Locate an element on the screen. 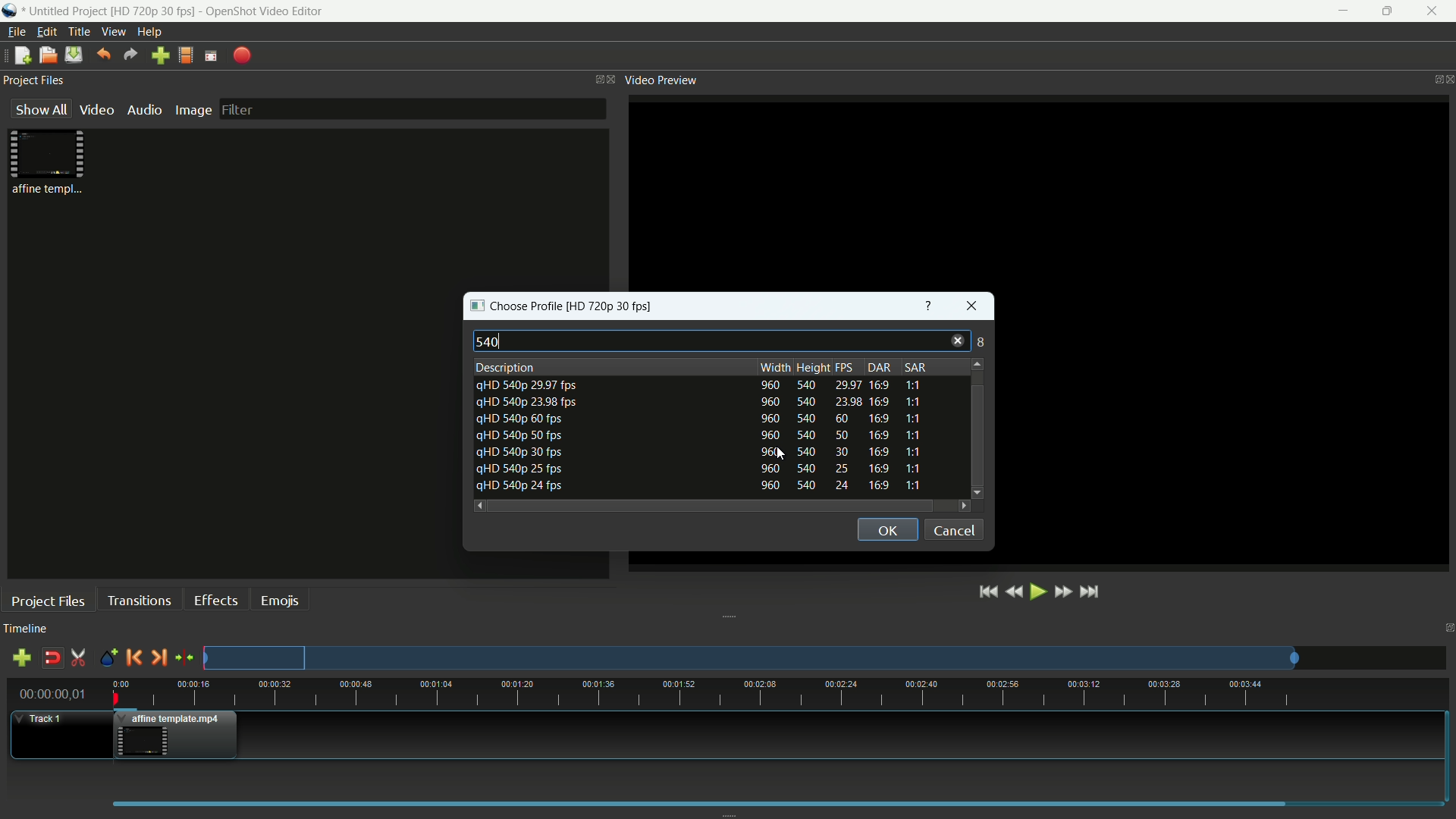 This screenshot has height=819, width=1456. previous marker is located at coordinates (133, 657).